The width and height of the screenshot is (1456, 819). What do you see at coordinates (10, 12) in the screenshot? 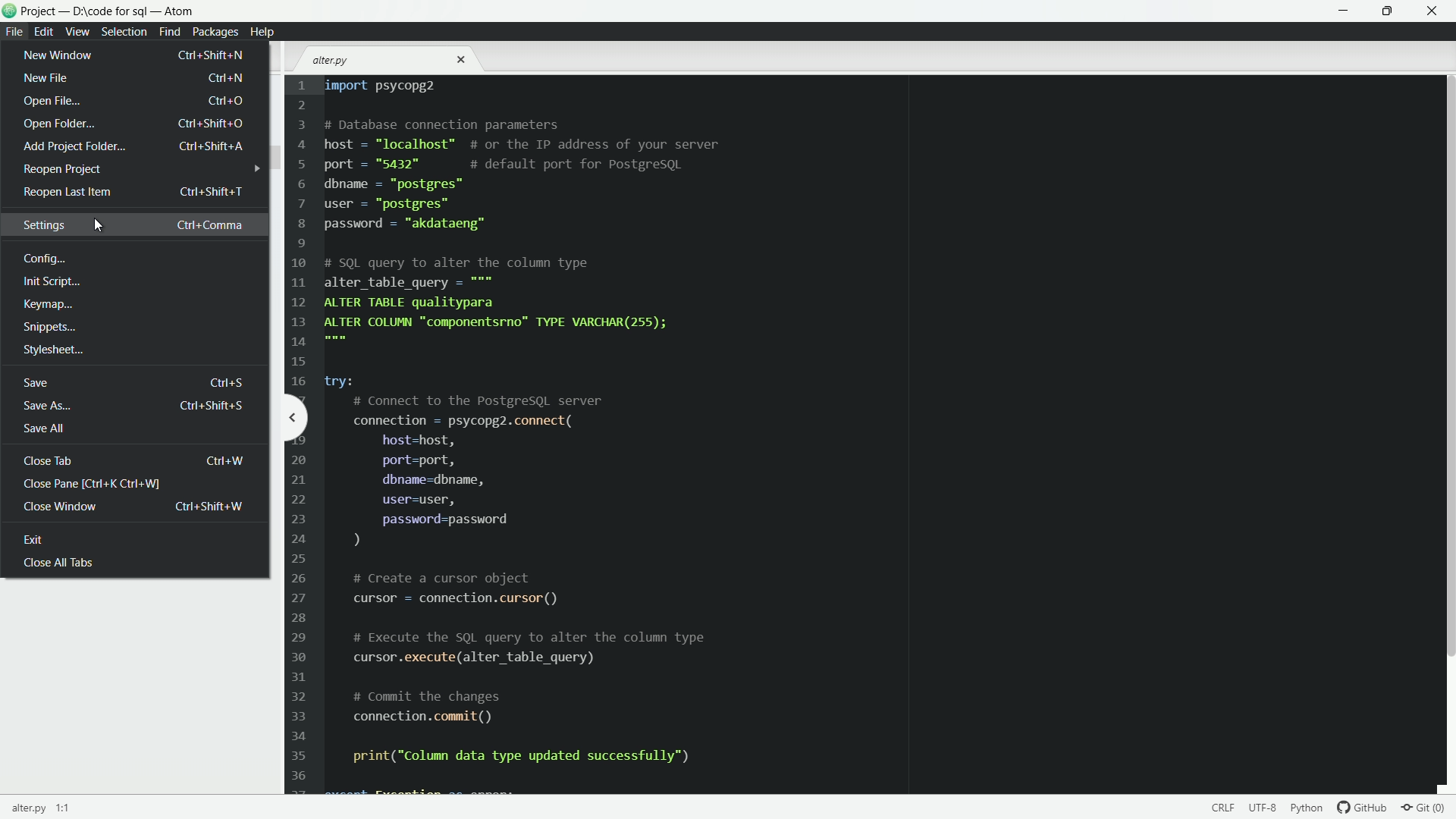
I see `logo` at bounding box center [10, 12].